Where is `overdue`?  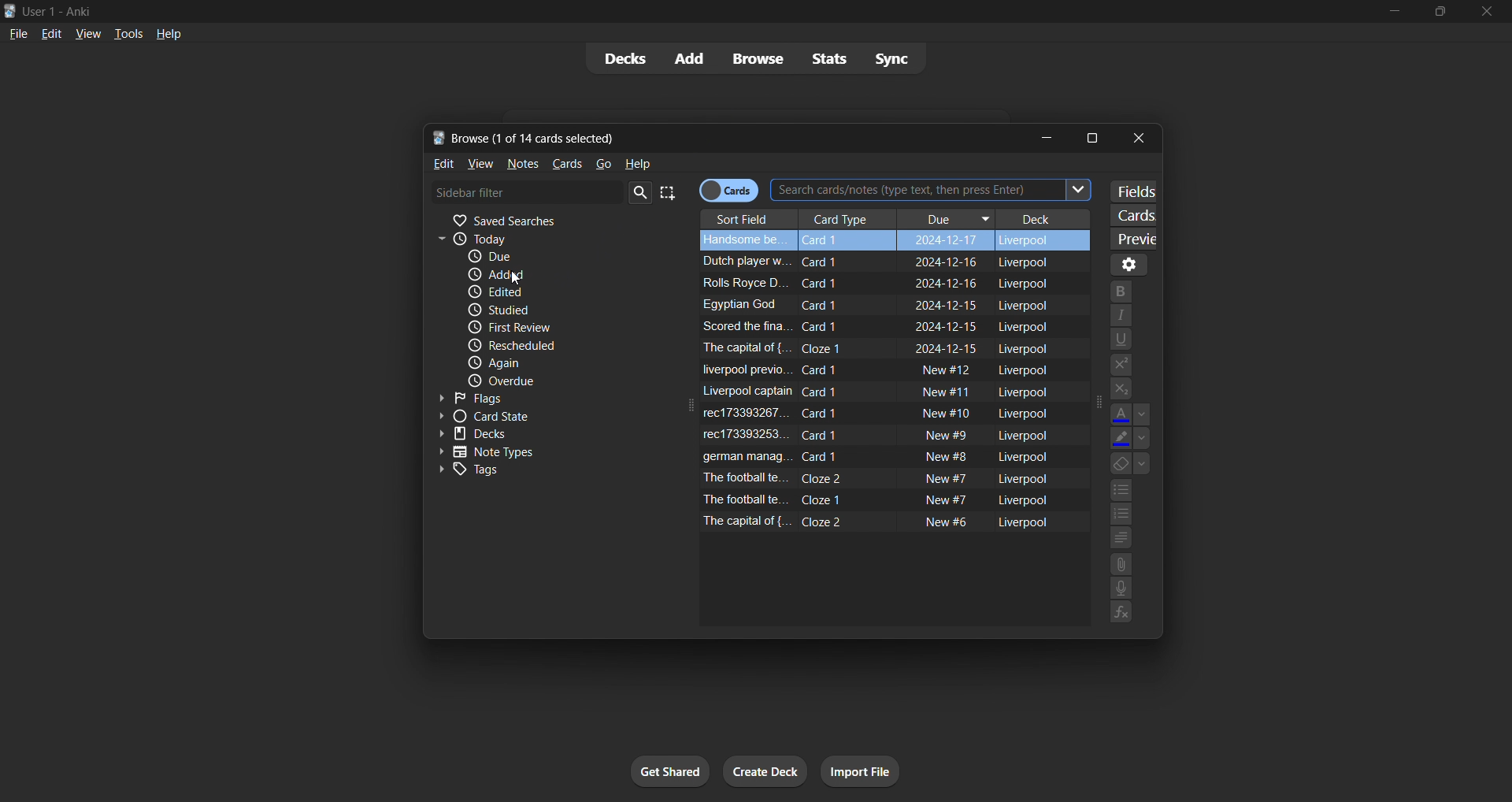 overdue is located at coordinates (558, 380).